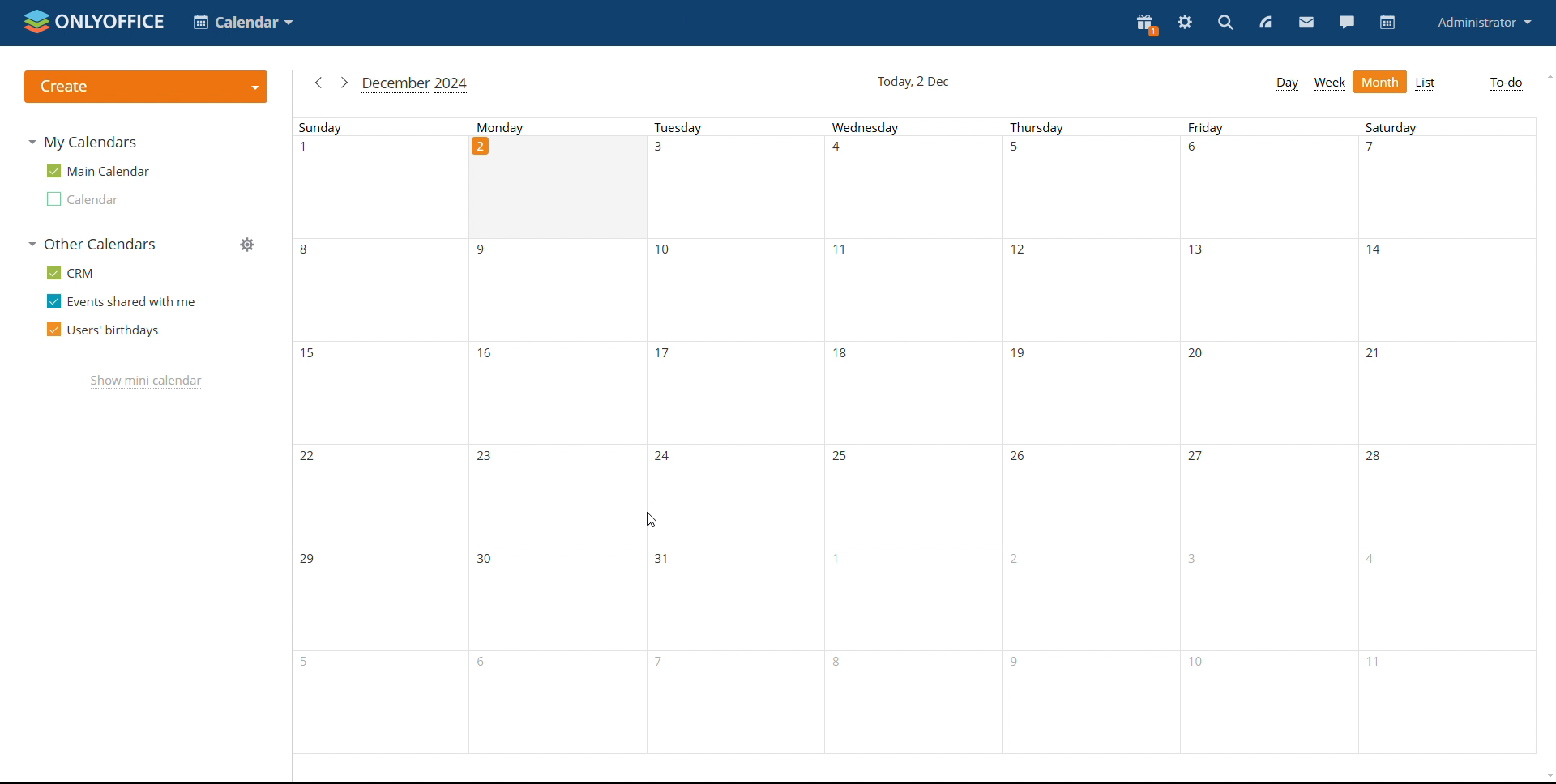 The height and width of the screenshot is (784, 1556). Describe the element at coordinates (72, 271) in the screenshot. I see `crm` at that location.